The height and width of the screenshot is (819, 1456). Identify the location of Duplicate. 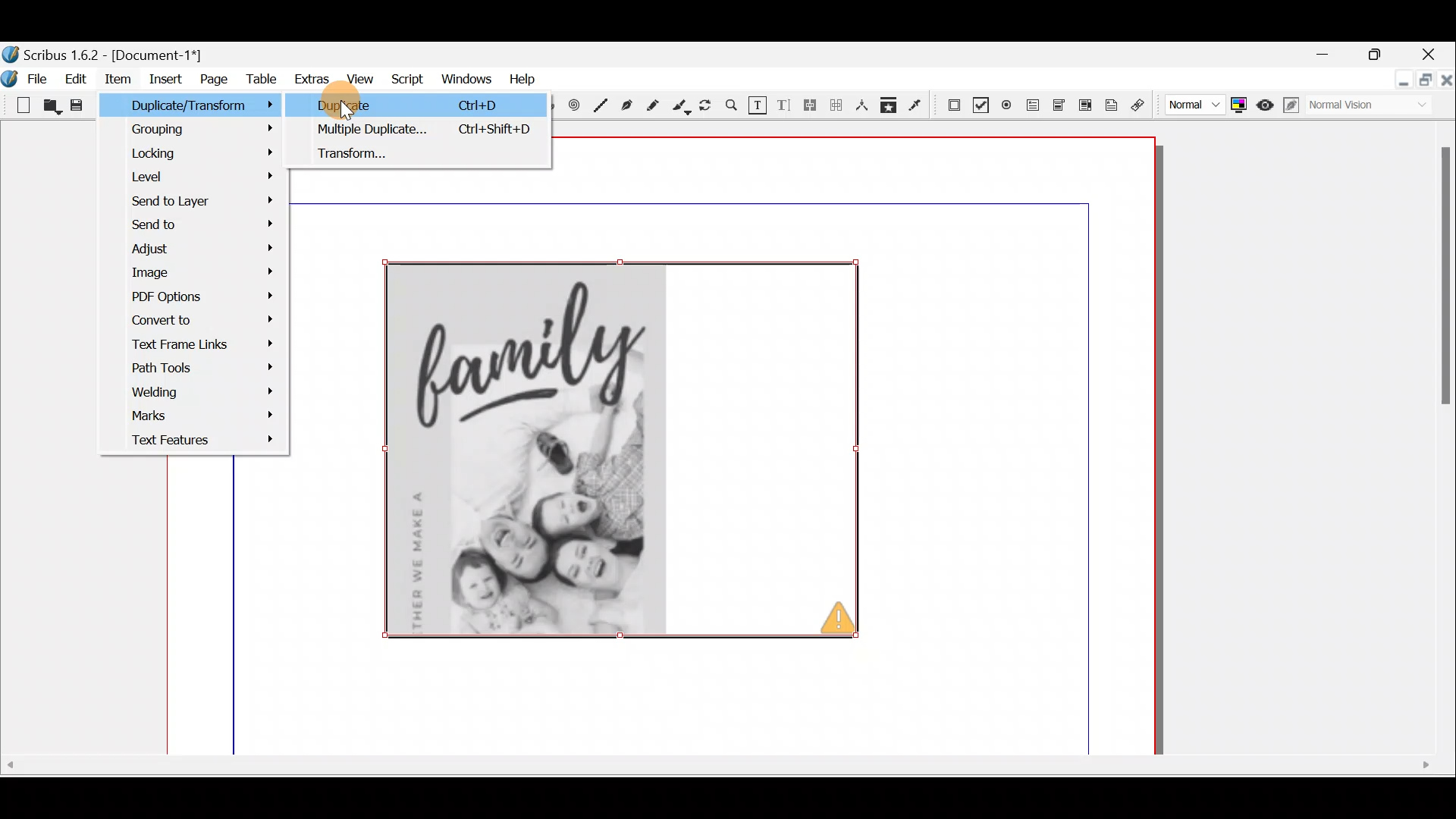
(429, 132).